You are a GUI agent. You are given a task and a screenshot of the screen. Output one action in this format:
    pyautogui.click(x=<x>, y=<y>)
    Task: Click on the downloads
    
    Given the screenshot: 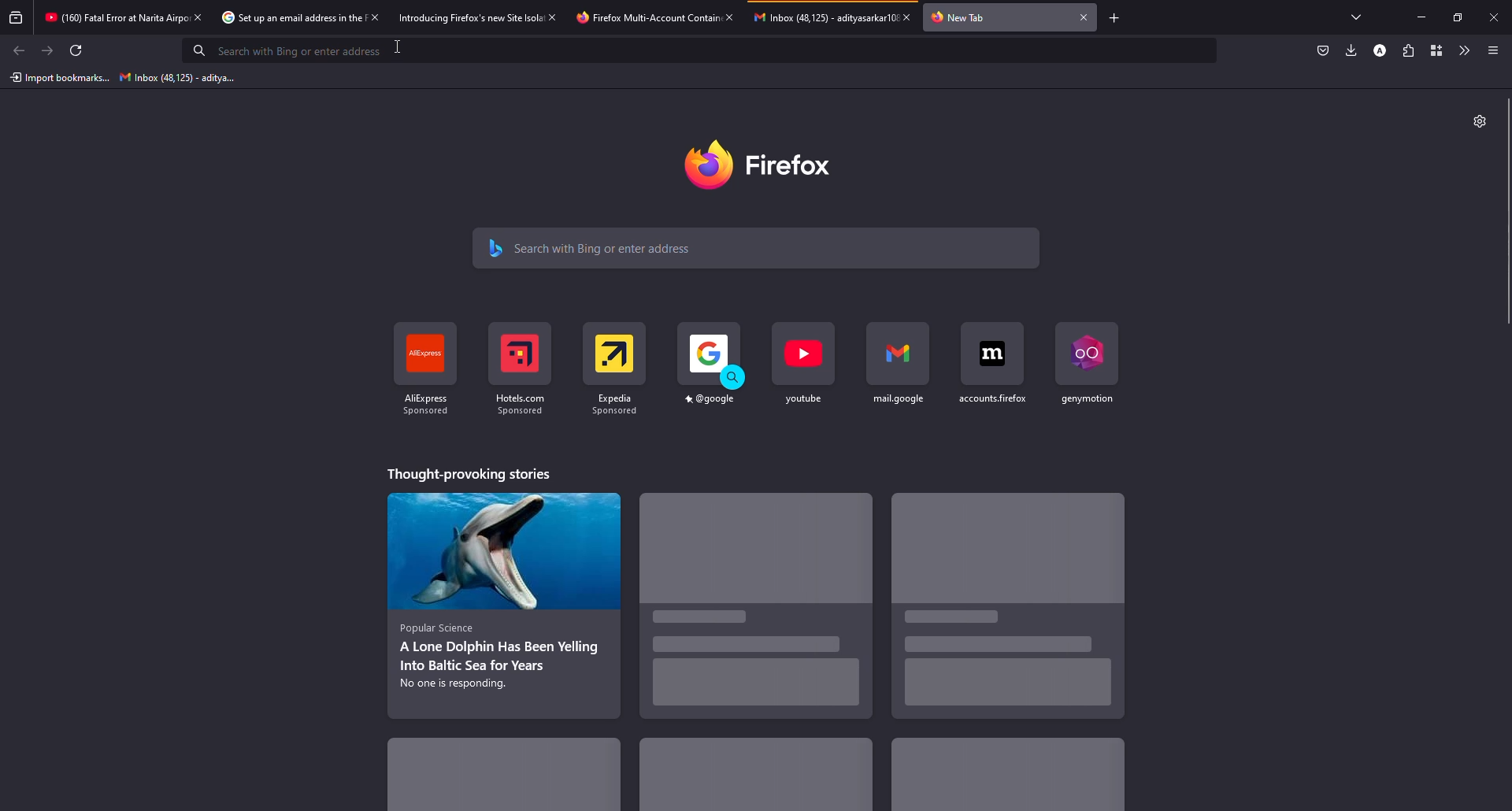 What is the action you would take?
    pyautogui.click(x=1351, y=50)
    